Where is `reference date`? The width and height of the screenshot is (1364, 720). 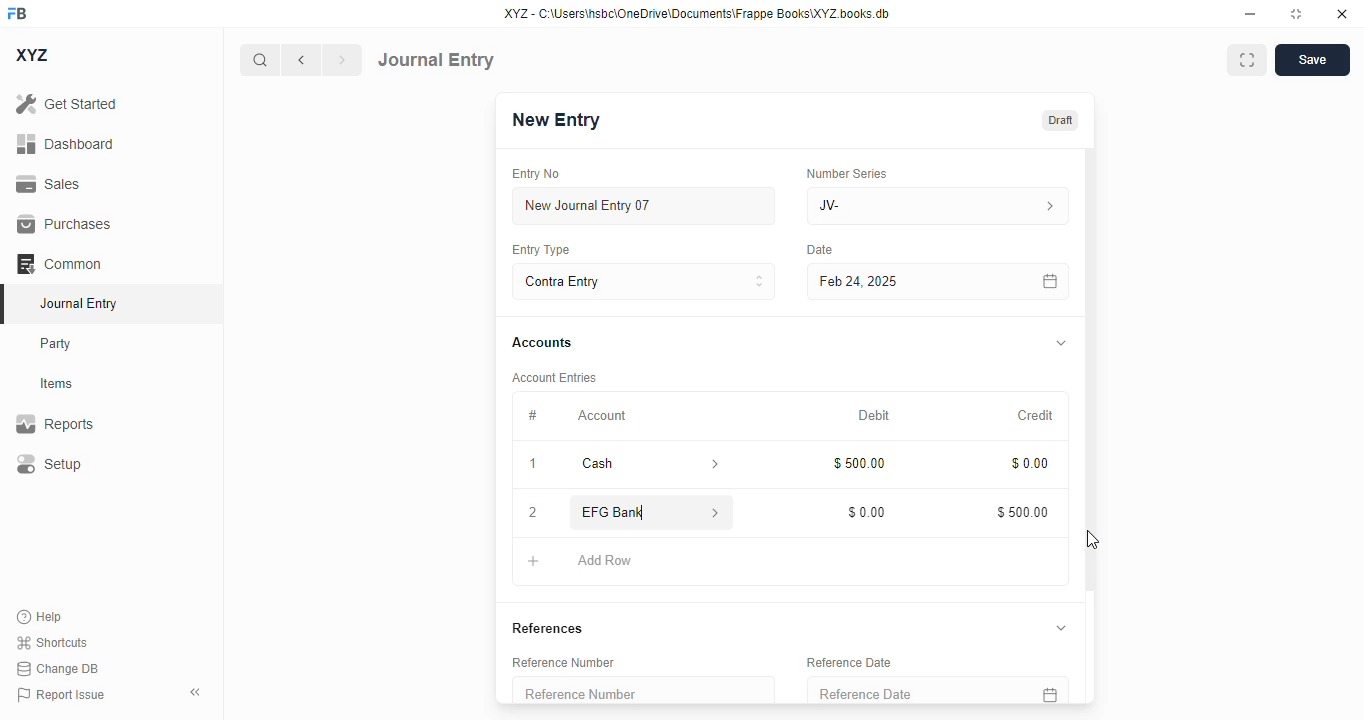
reference date is located at coordinates (850, 662).